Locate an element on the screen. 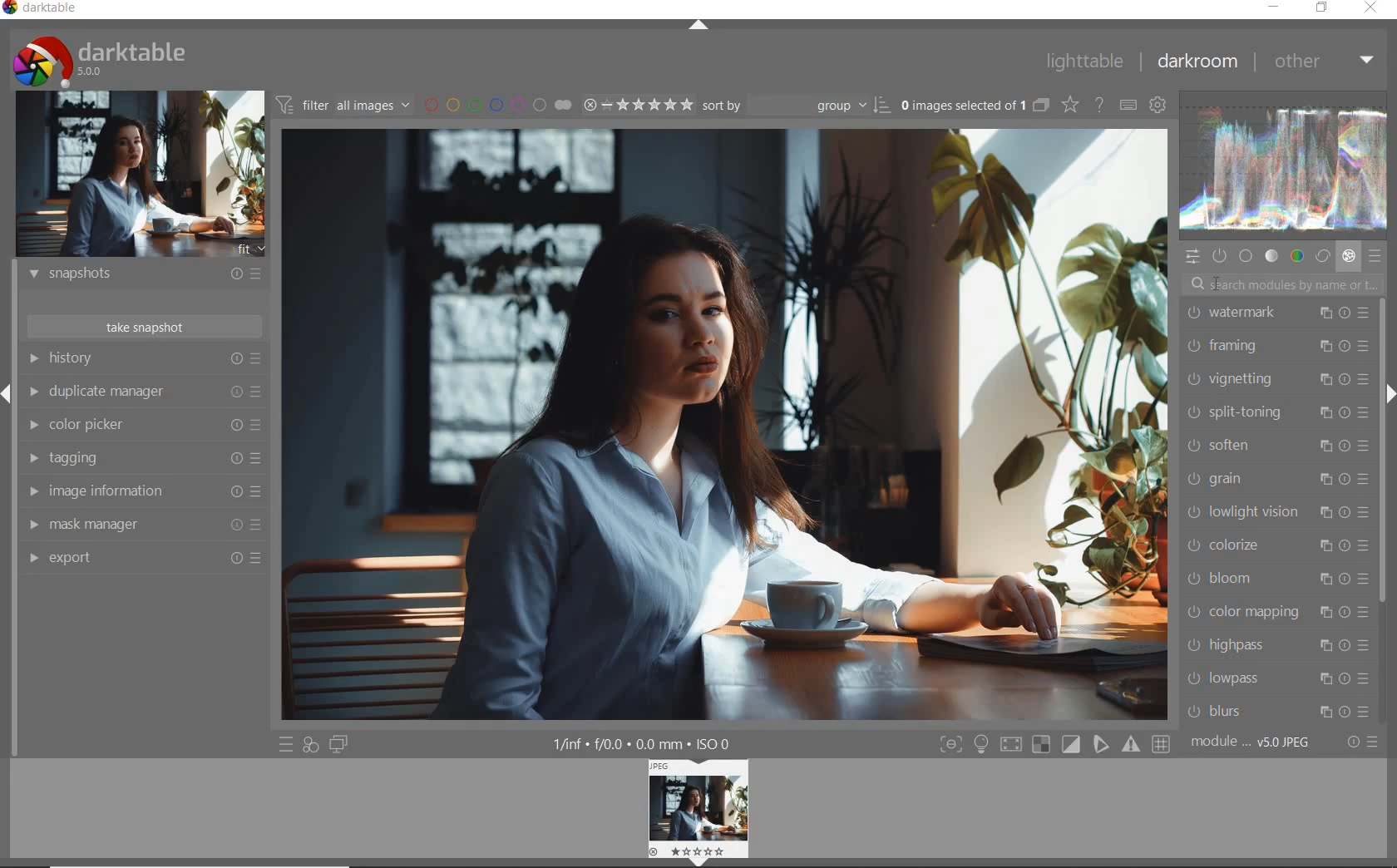 Image resolution: width=1397 pixels, height=868 pixels. highpass is located at coordinates (1278, 646).